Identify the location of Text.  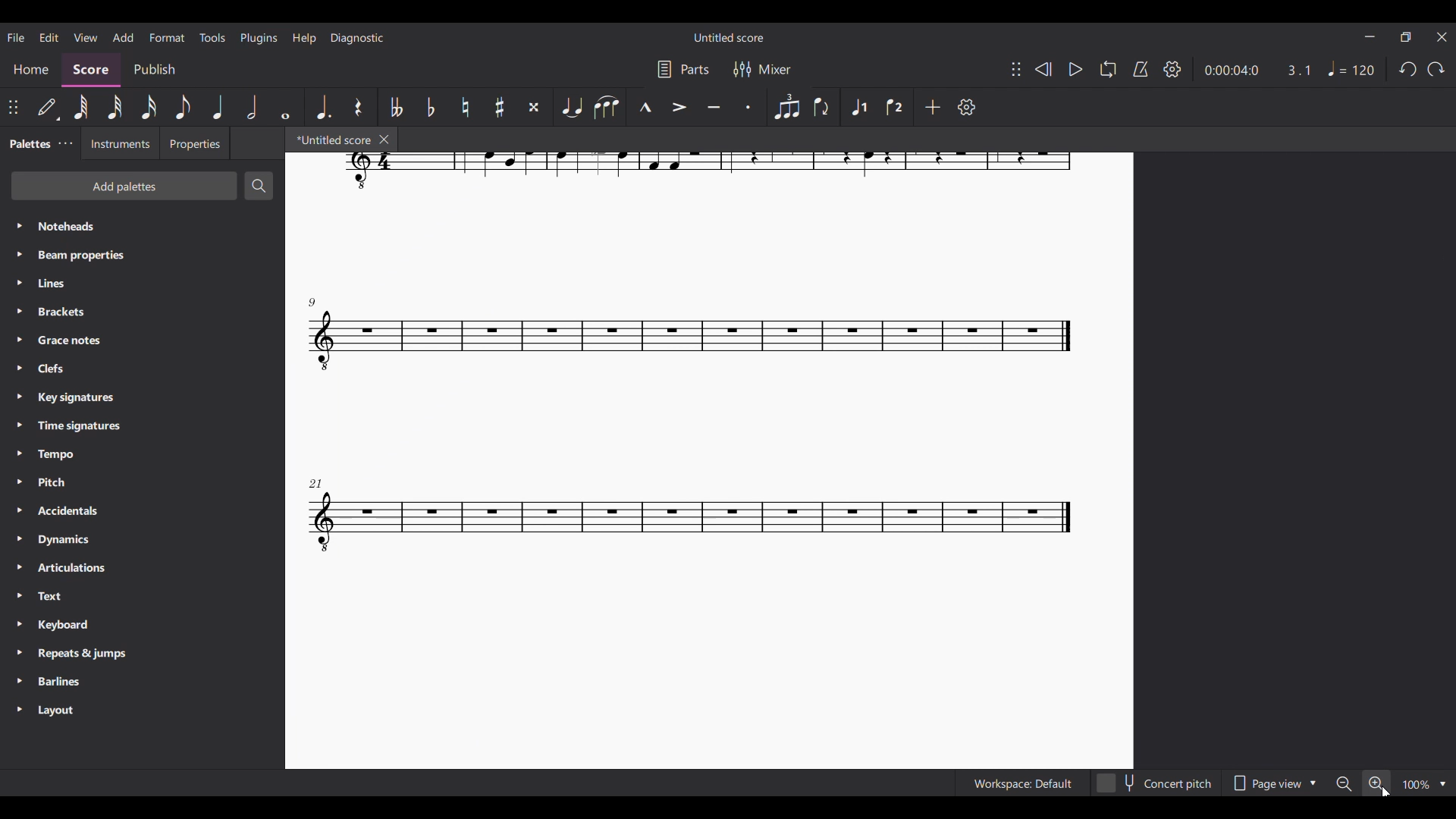
(142, 596).